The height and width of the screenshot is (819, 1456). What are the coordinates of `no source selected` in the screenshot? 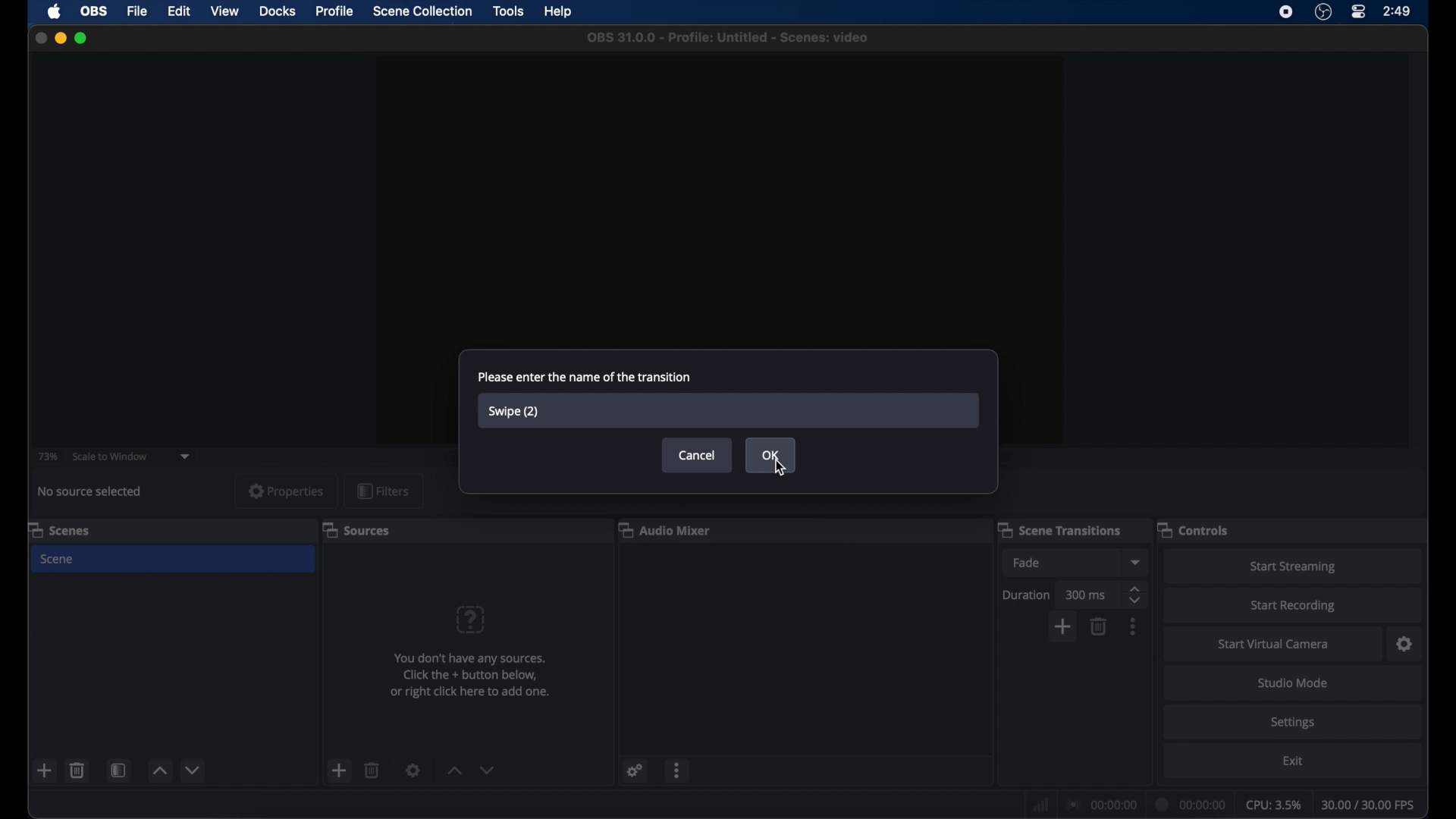 It's located at (91, 491).